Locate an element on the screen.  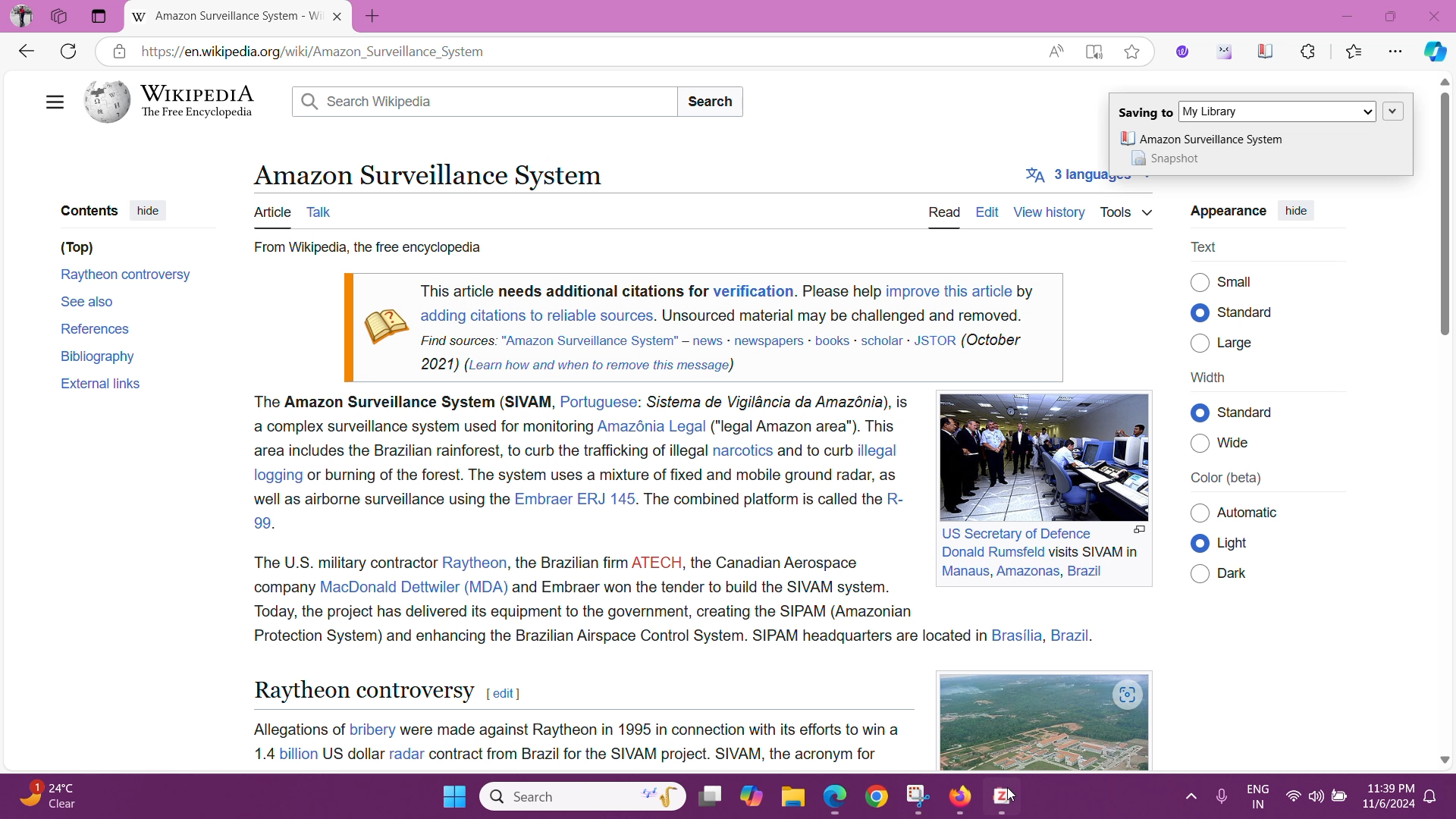
close tab is located at coordinates (340, 17).